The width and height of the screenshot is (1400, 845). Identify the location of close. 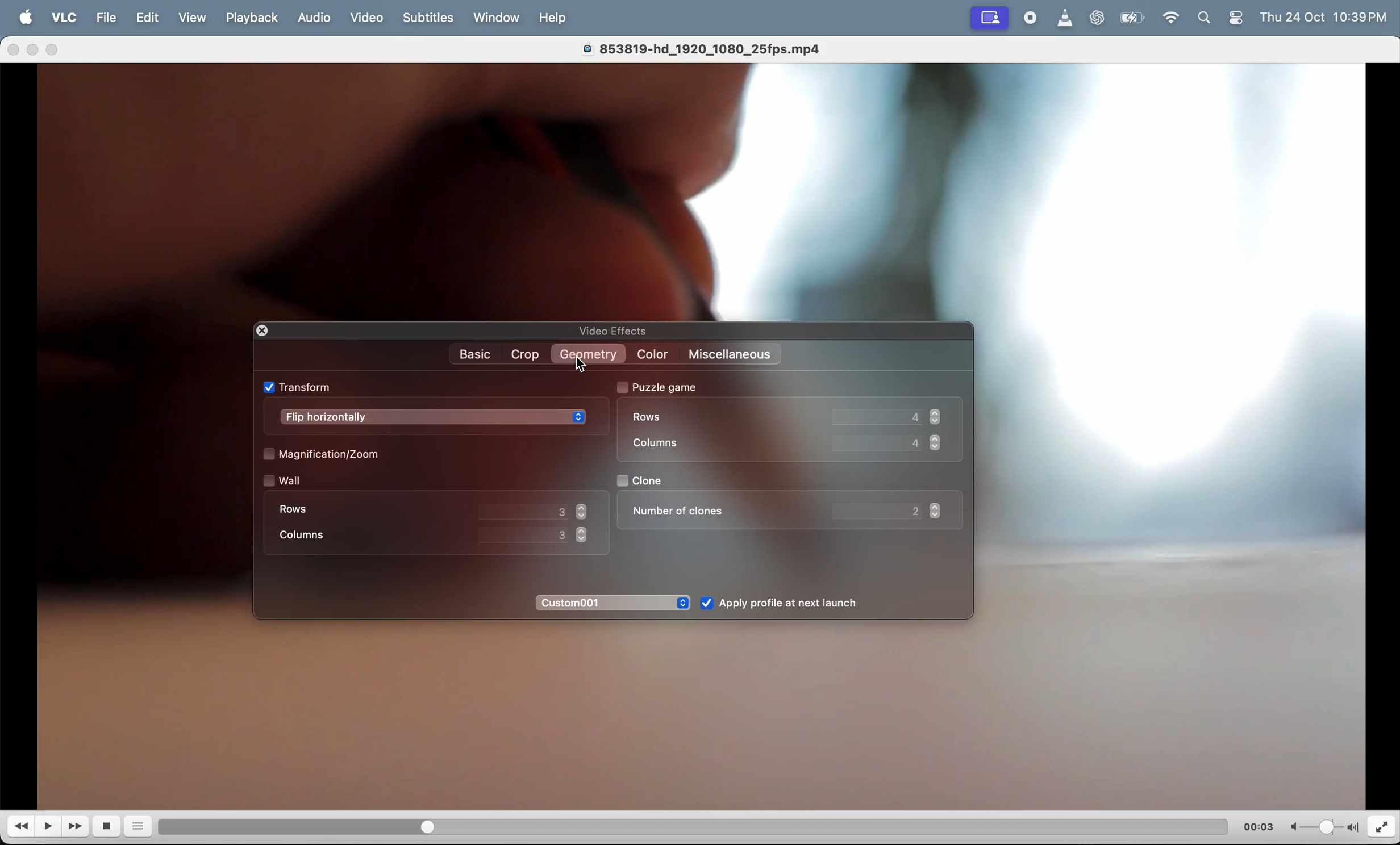
(15, 49).